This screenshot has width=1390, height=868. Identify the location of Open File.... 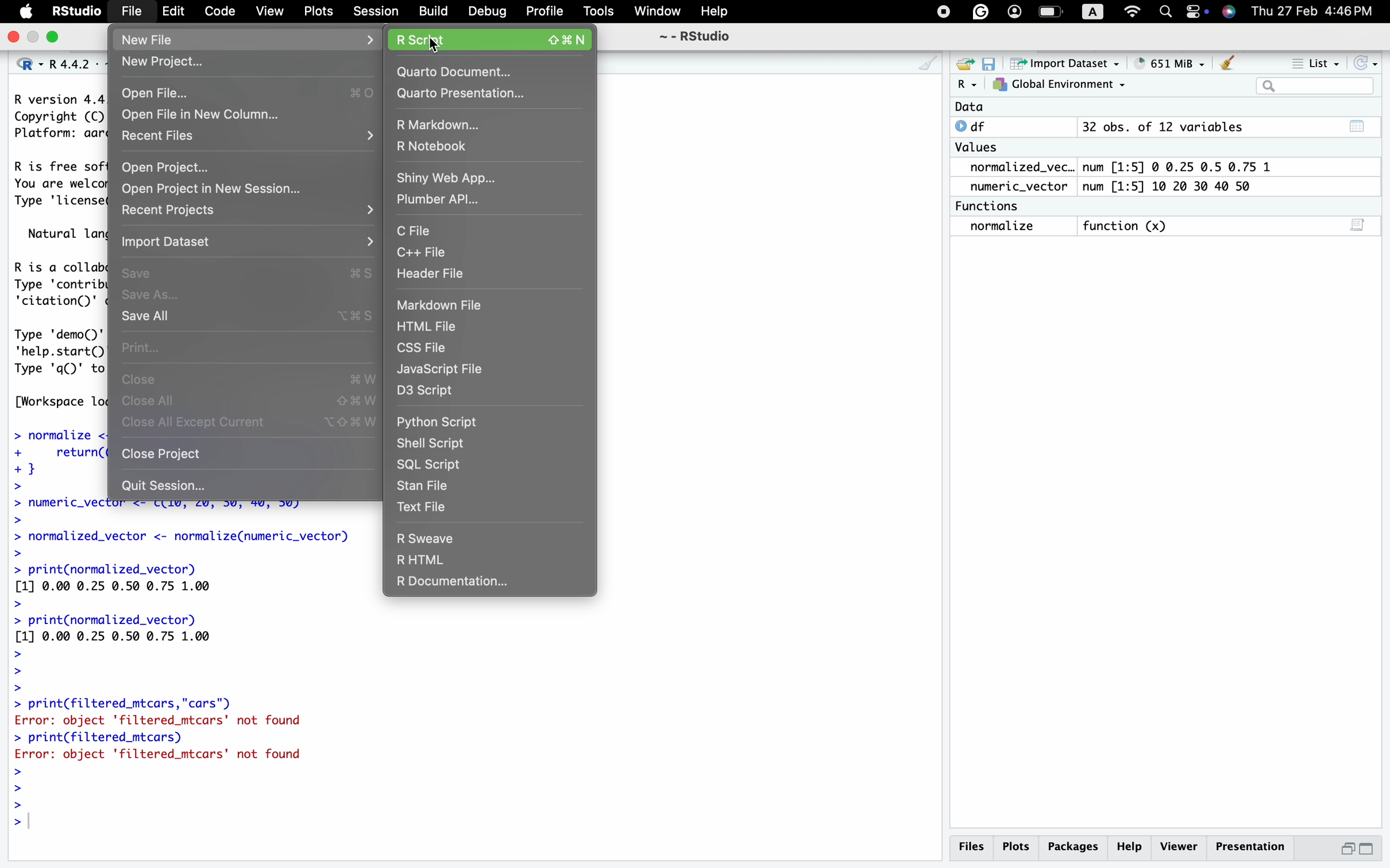
(238, 89).